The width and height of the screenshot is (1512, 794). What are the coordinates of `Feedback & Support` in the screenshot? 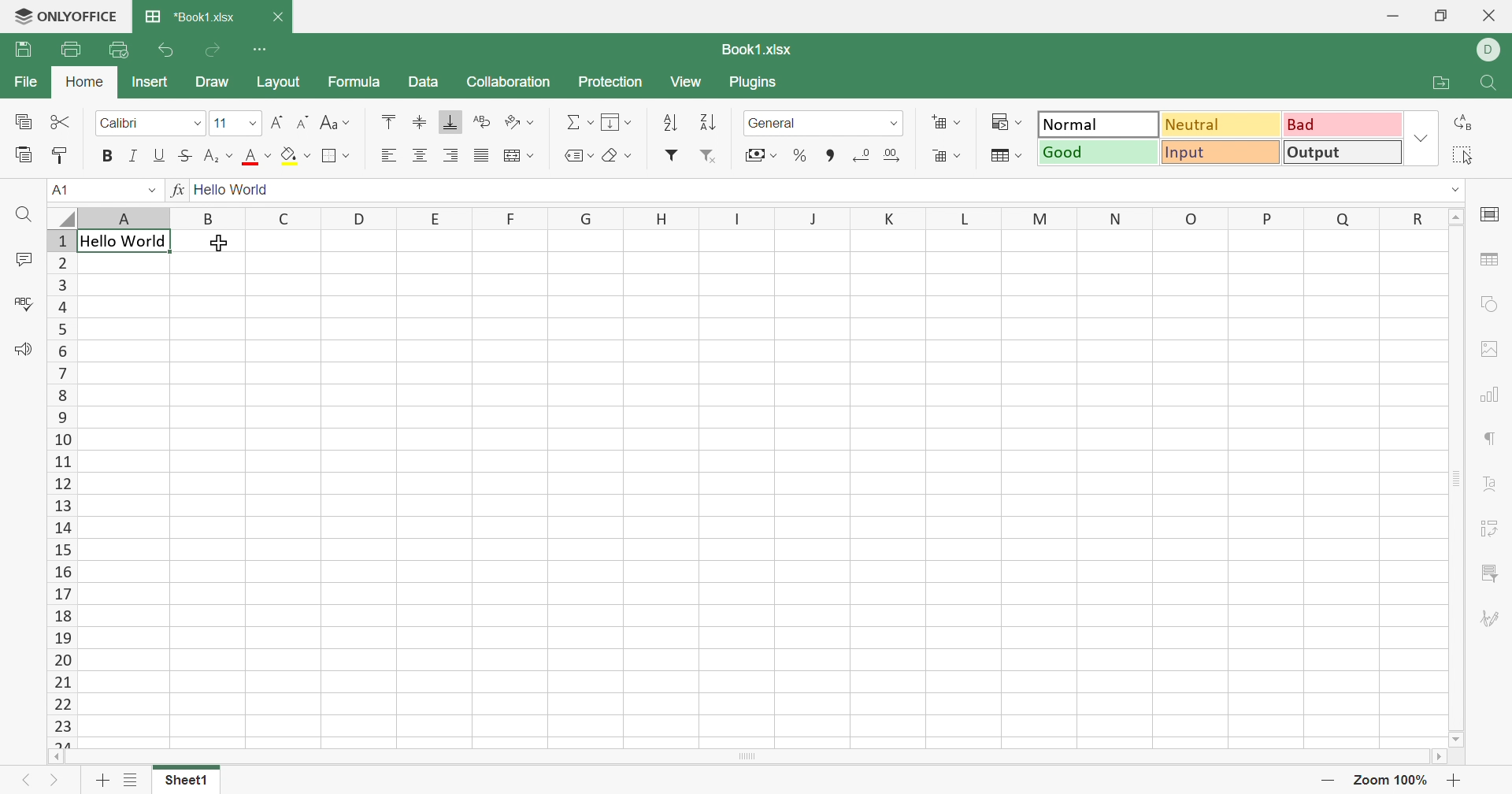 It's located at (24, 350).